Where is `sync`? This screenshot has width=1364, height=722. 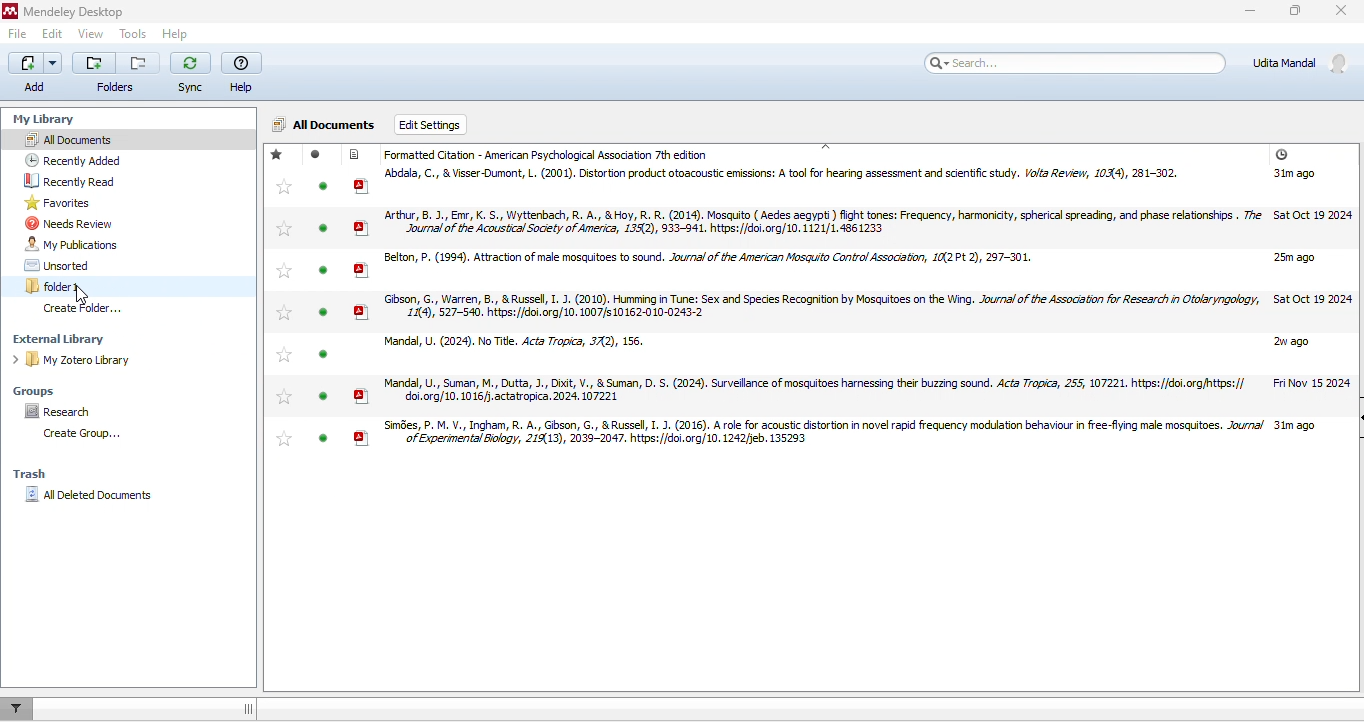 sync is located at coordinates (191, 74).